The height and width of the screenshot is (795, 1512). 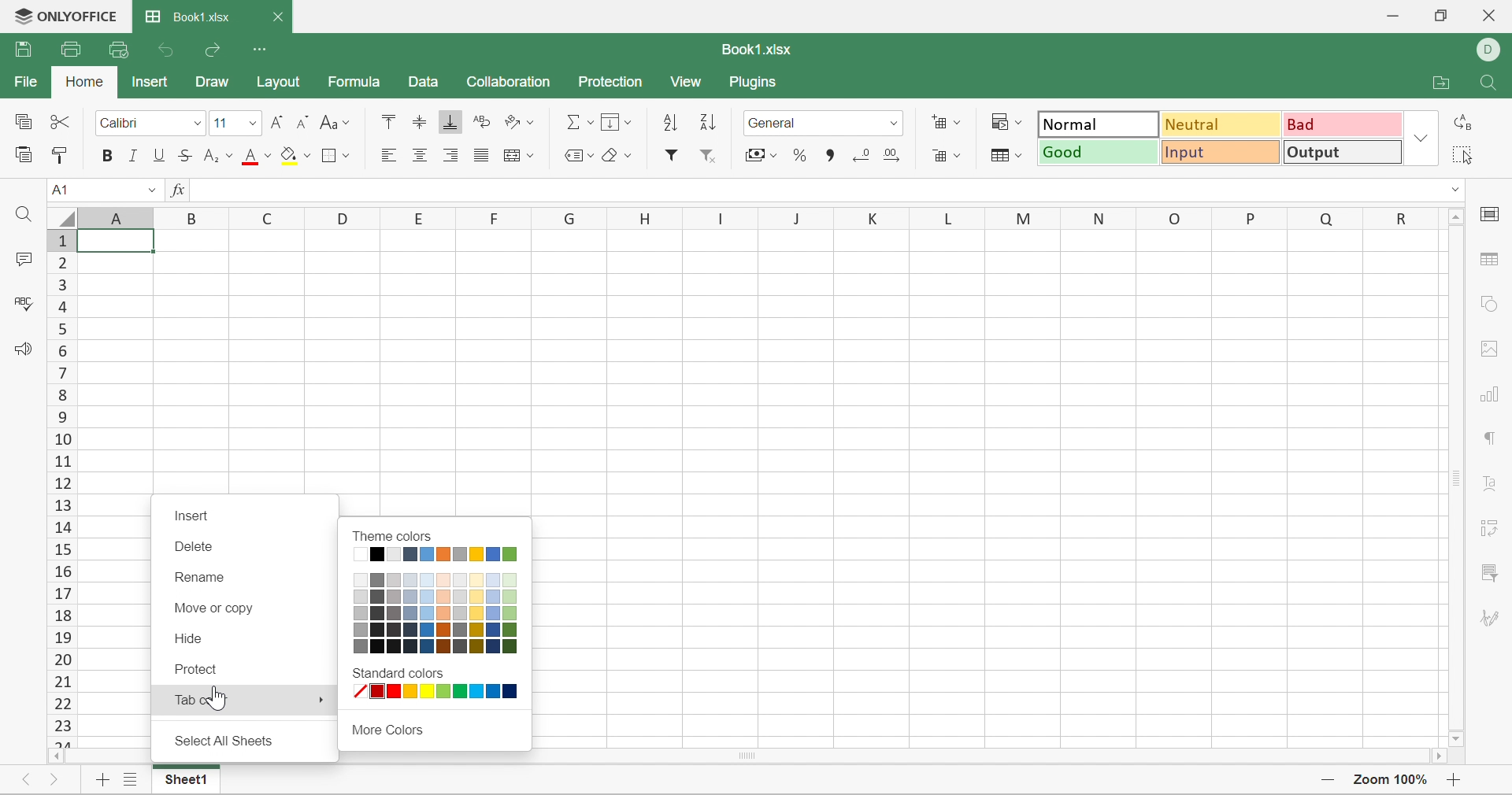 I want to click on Book1.xlsx, so click(x=756, y=50).